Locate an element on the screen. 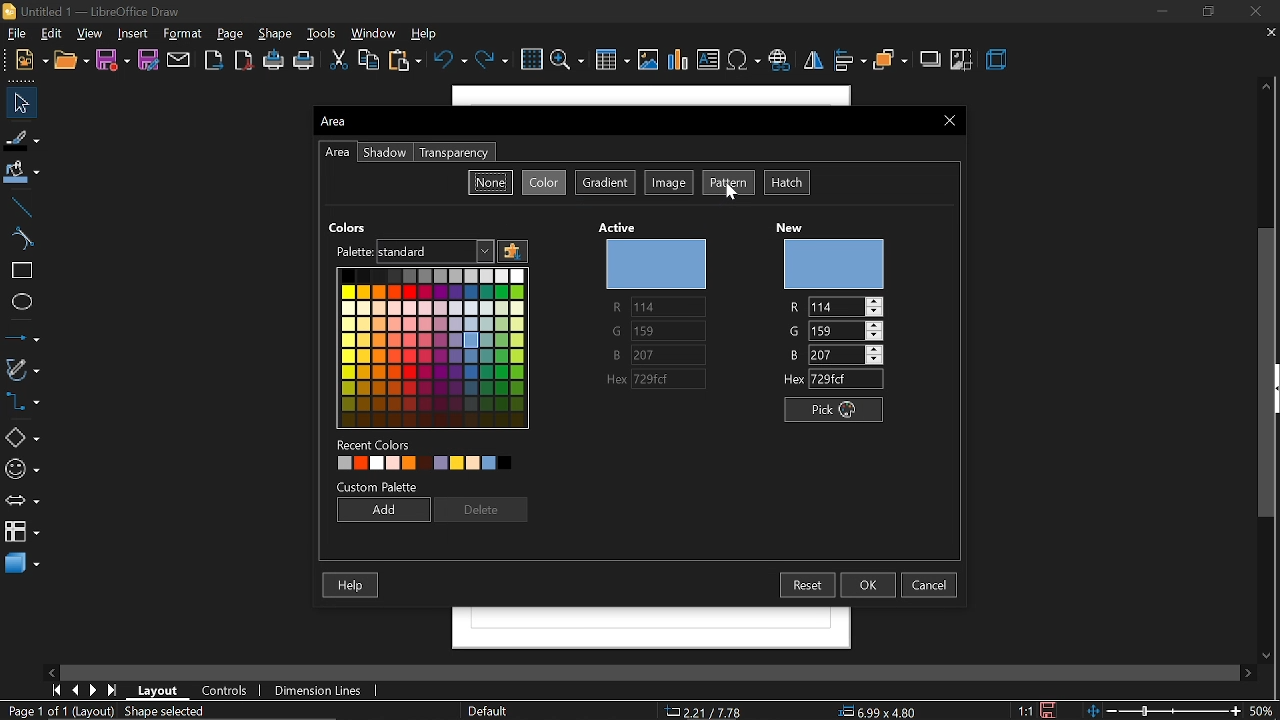  minimize is located at coordinates (1157, 13).